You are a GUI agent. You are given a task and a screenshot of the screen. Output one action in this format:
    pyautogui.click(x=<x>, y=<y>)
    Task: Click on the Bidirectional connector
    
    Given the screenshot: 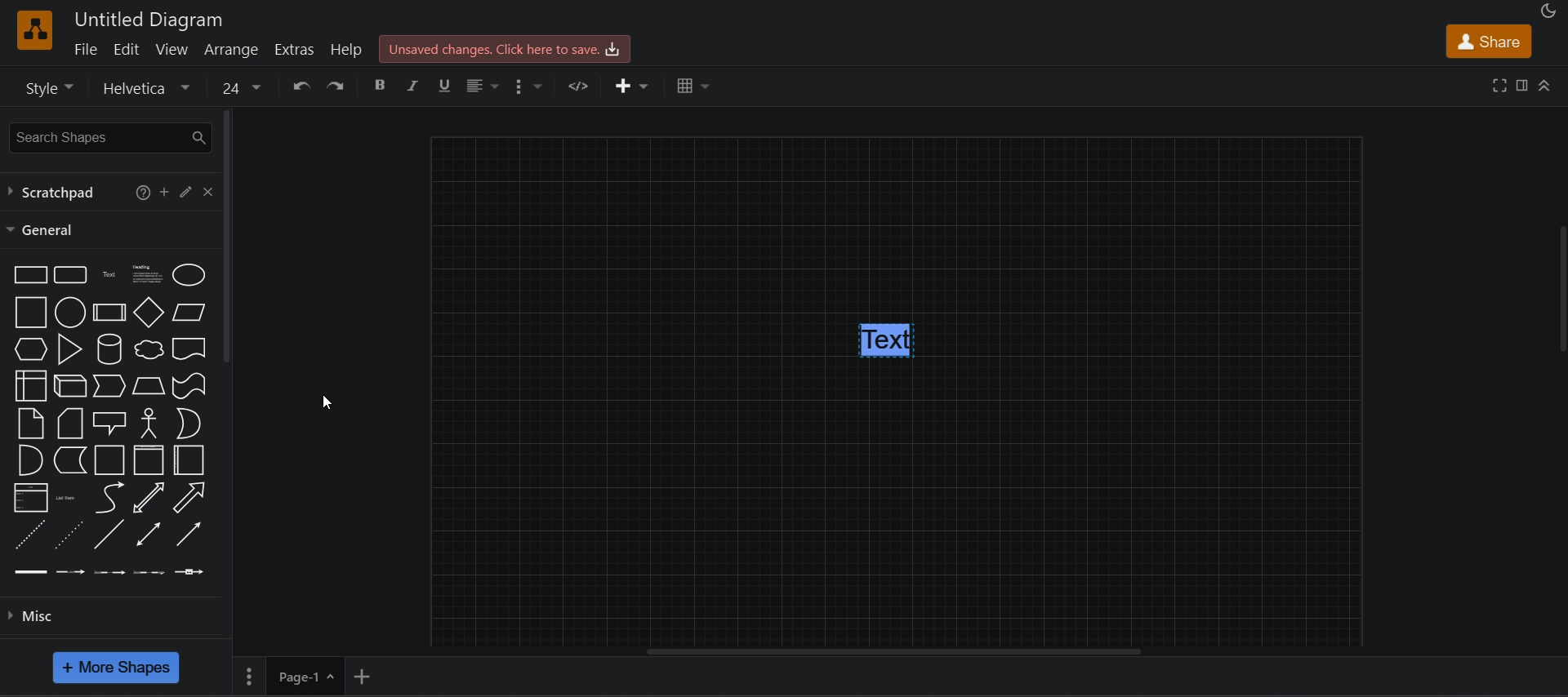 What is the action you would take?
    pyautogui.click(x=149, y=534)
    